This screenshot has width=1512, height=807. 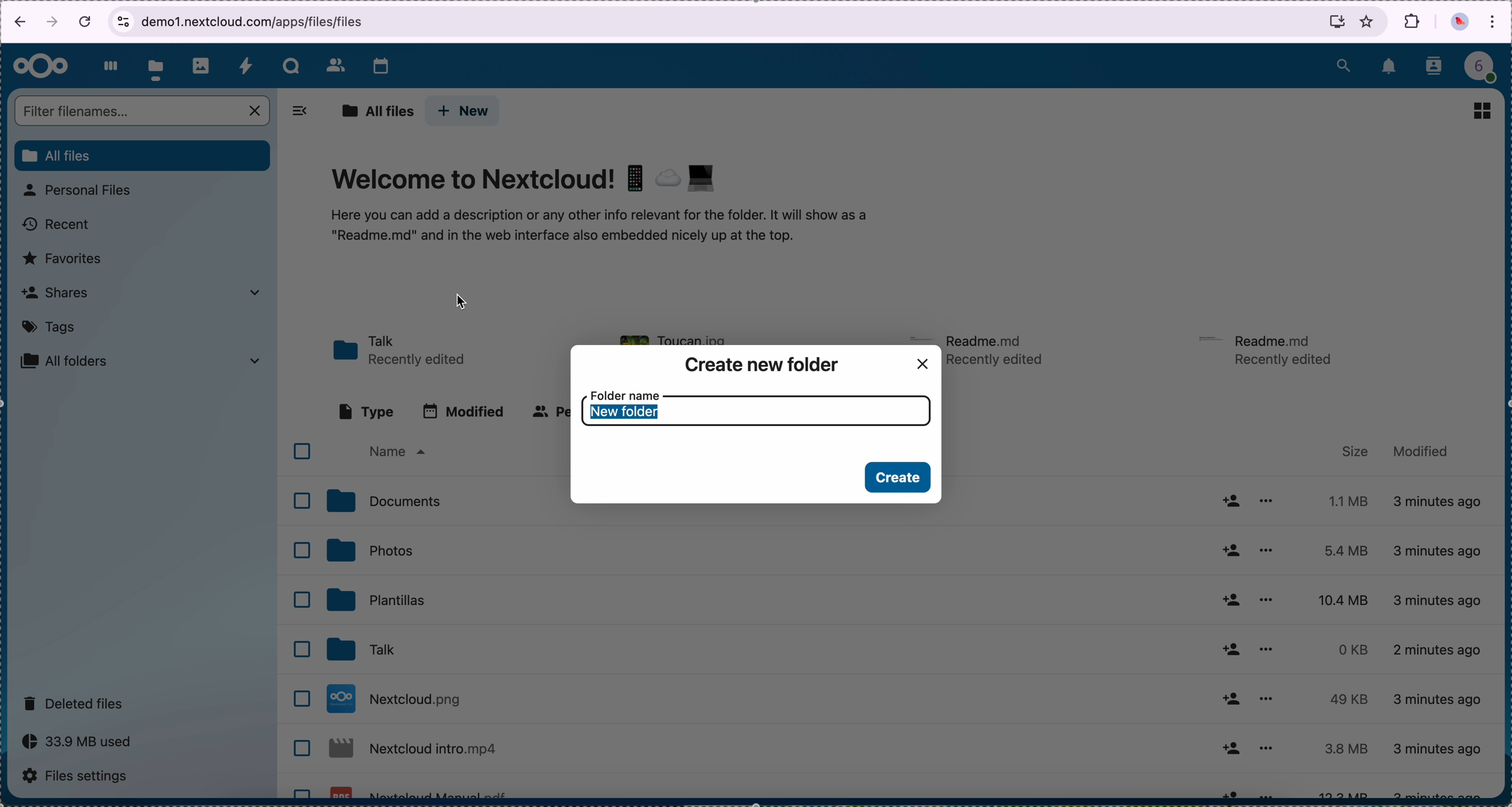 I want to click on close, so click(x=923, y=364).